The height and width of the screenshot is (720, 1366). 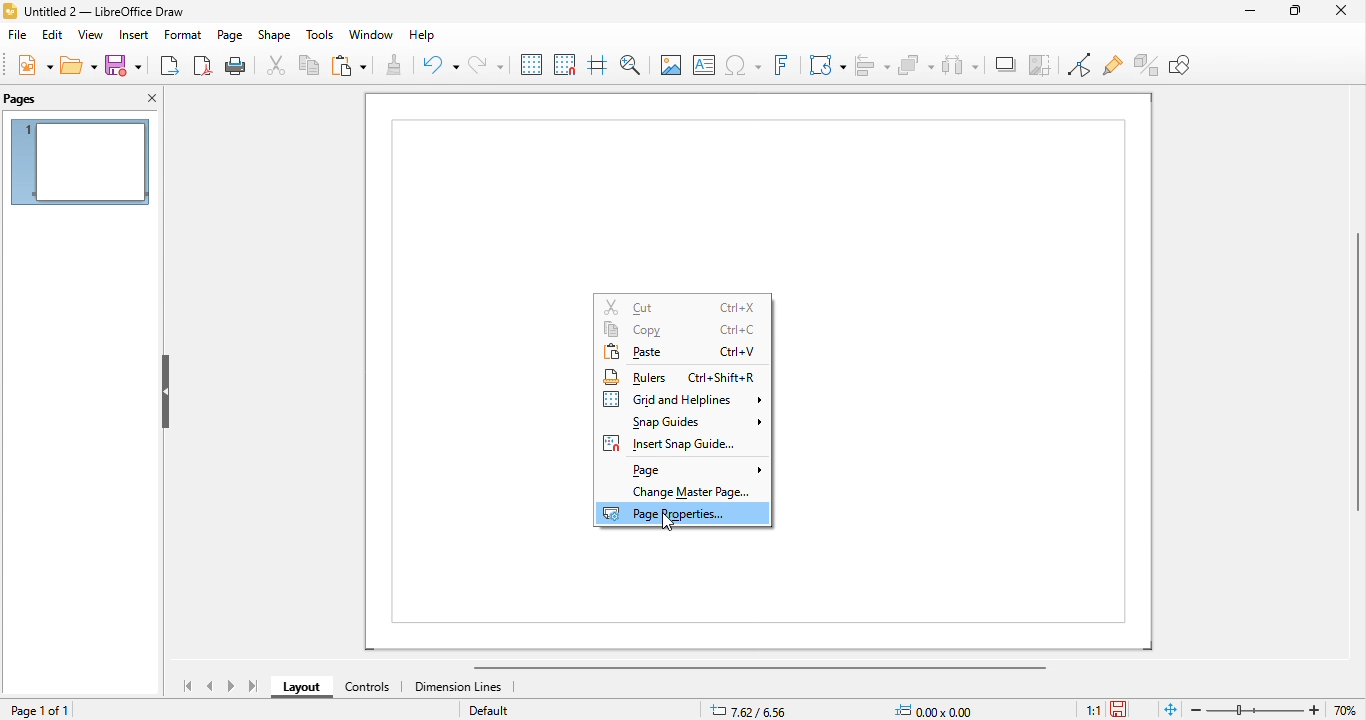 I want to click on arrange, so click(x=916, y=66).